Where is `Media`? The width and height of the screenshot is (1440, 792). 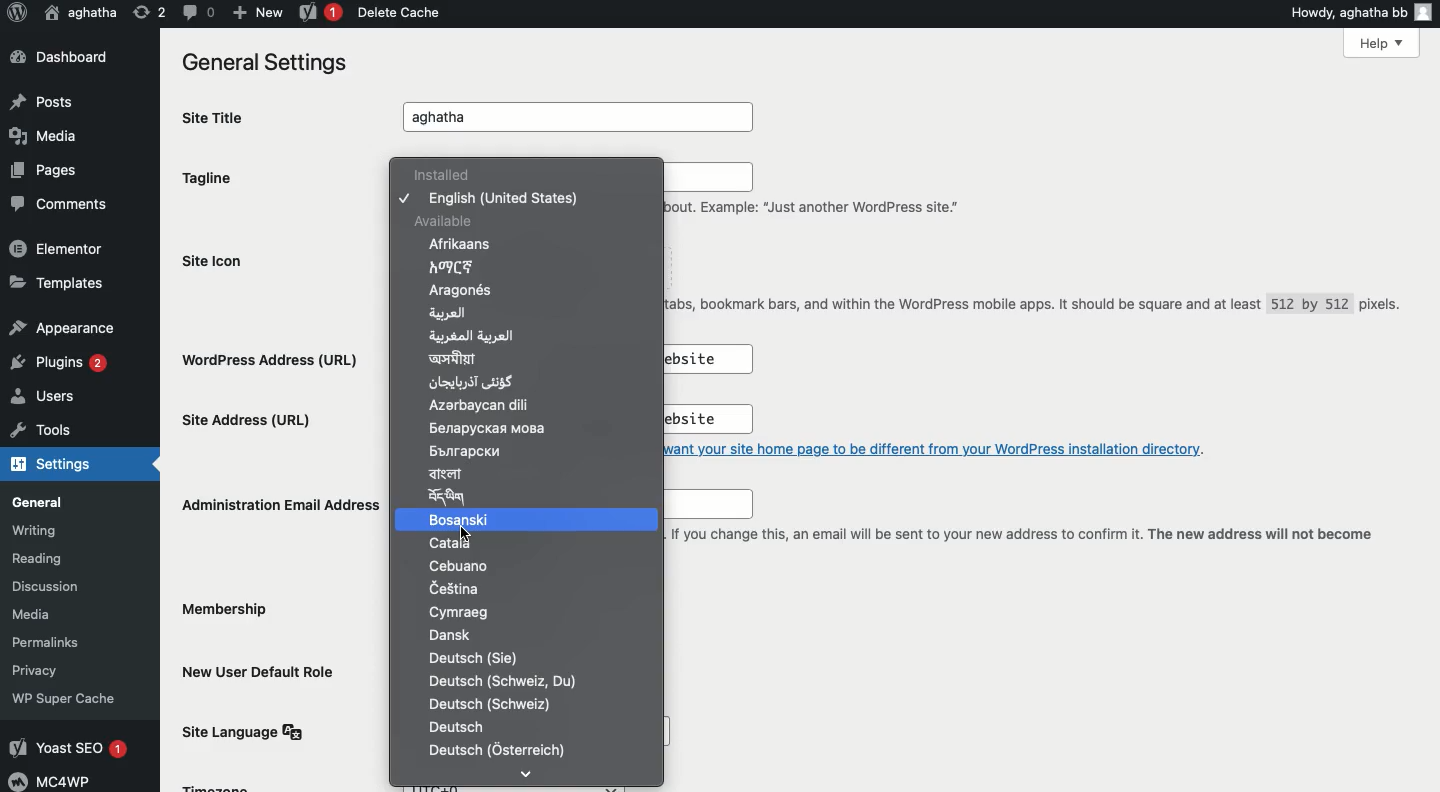 Media is located at coordinates (45, 137).